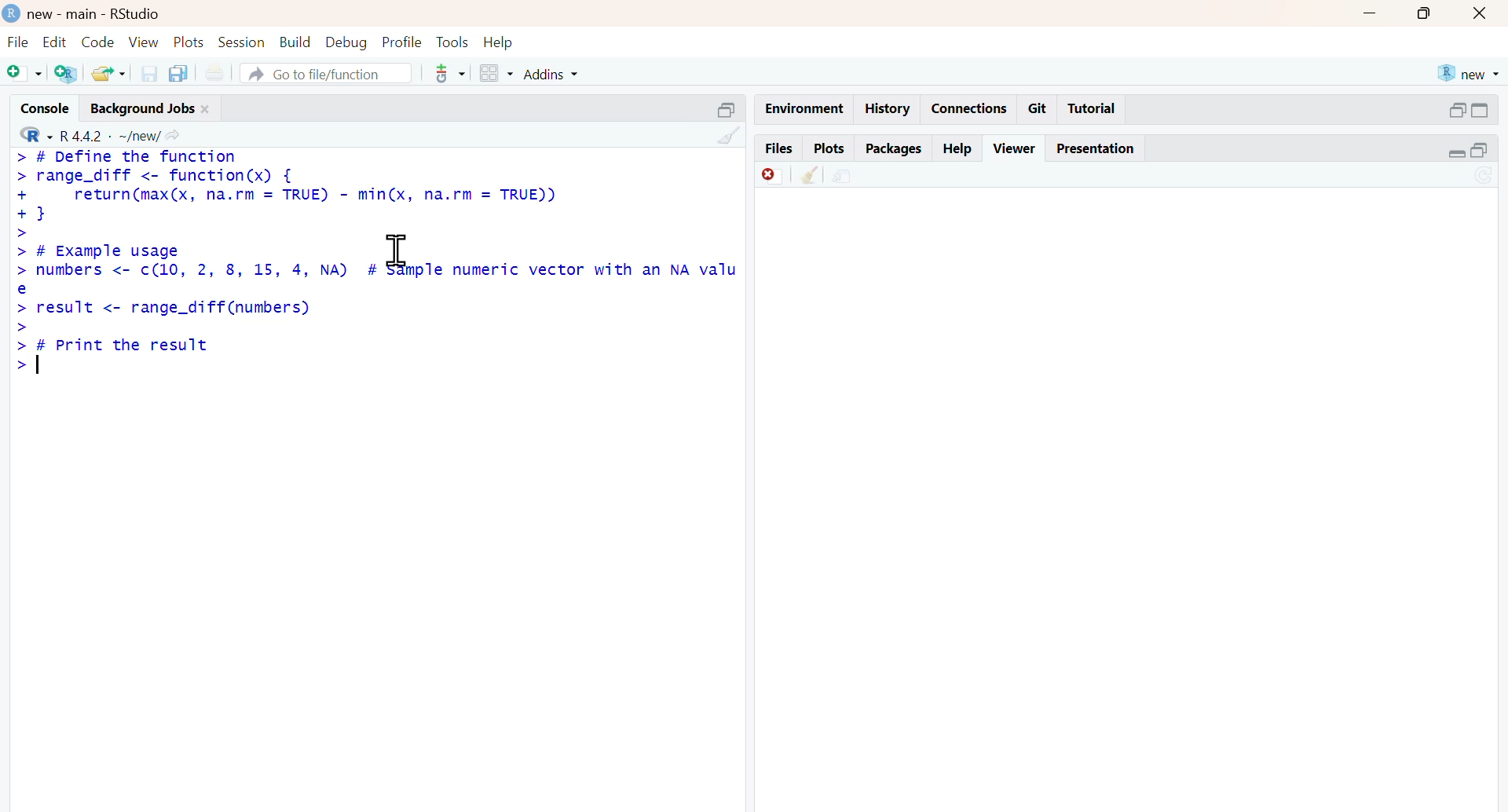 The height and width of the screenshot is (812, 1508). Describe the element at coordinates (49, 108) in the screenshot. I see `console` at that location.